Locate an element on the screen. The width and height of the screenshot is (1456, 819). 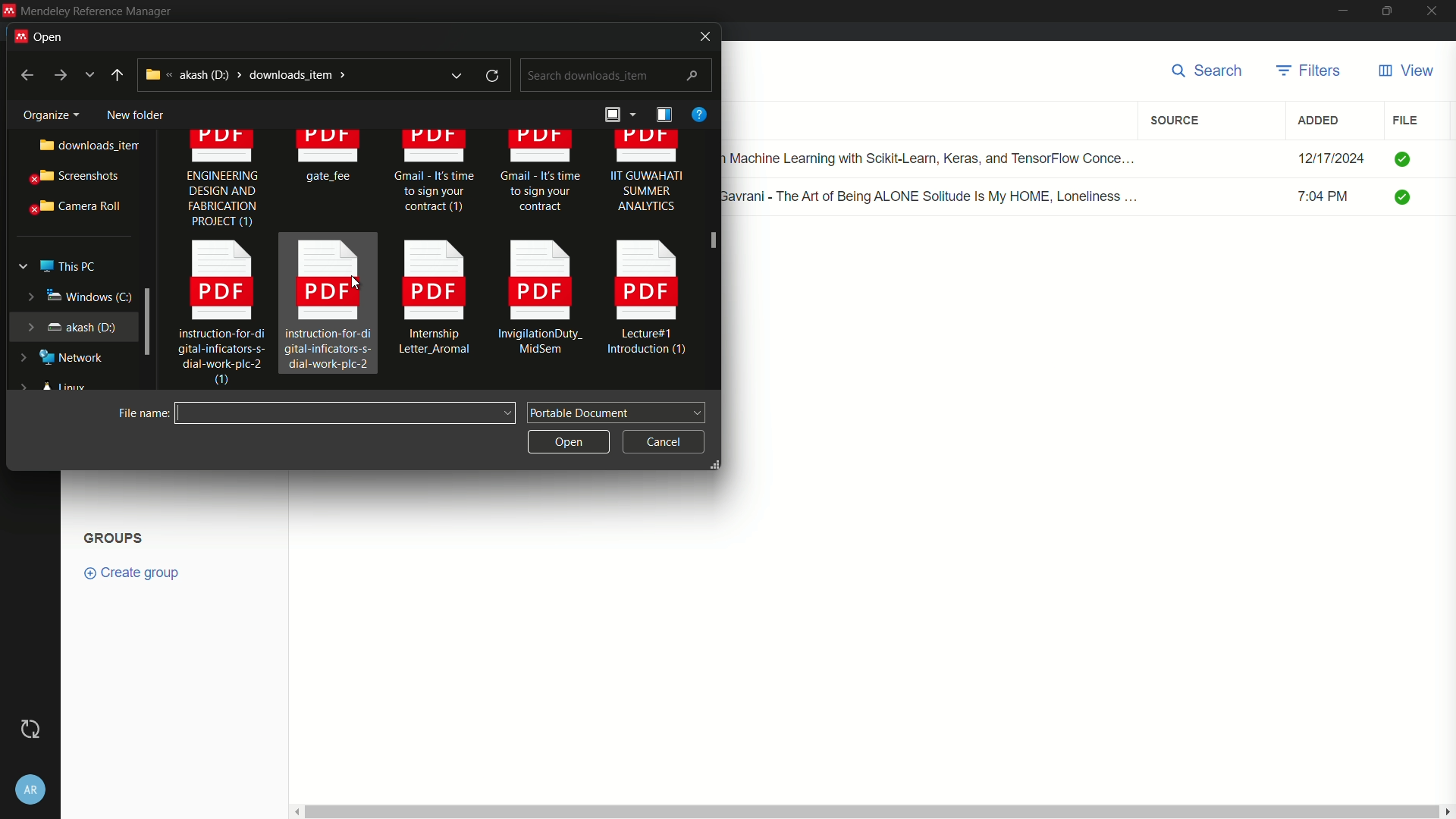
gate fee is located at coordinates (331, 159).